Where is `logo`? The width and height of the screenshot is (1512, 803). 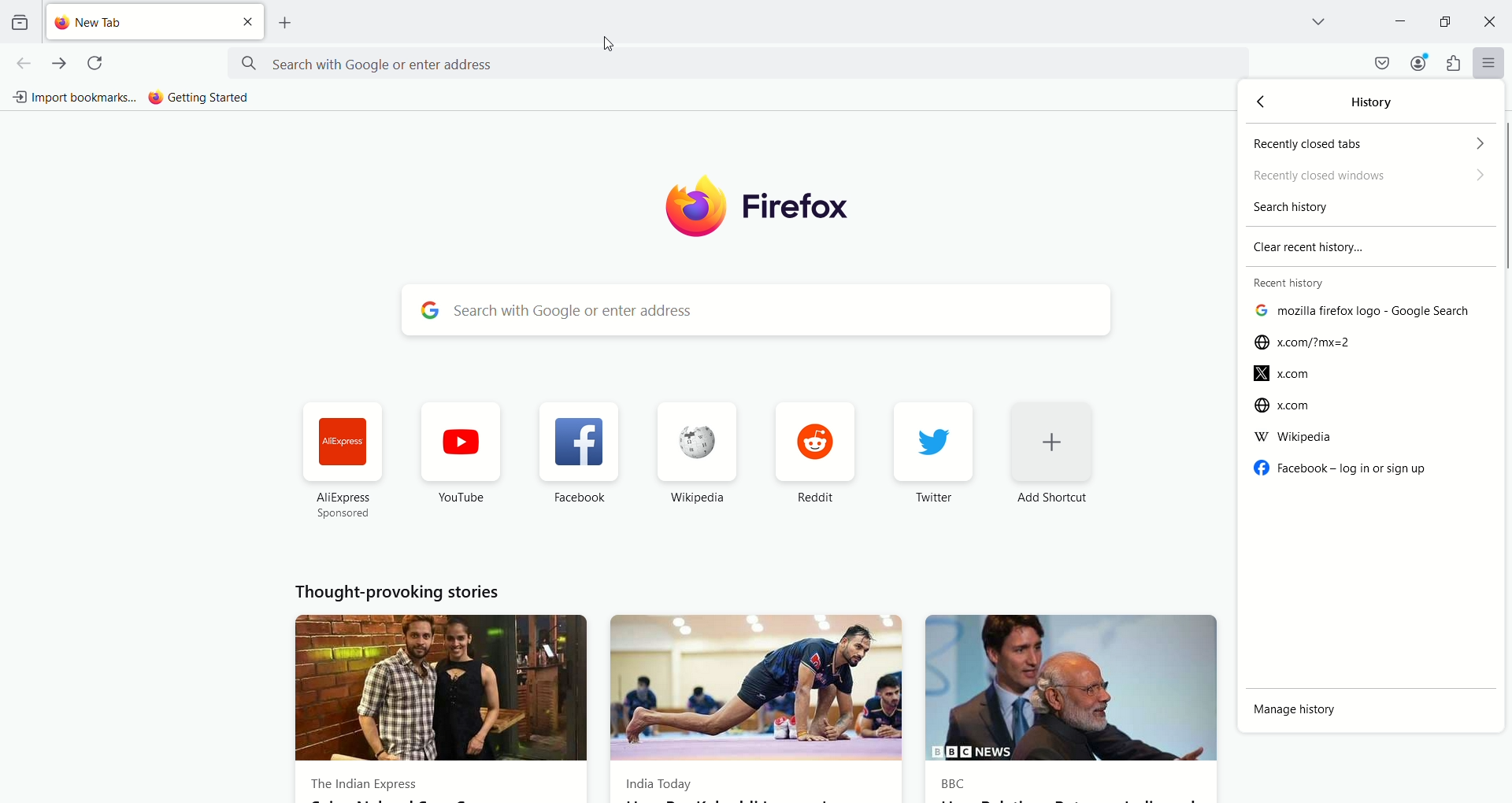 logo is located at coordinates (691, 208).